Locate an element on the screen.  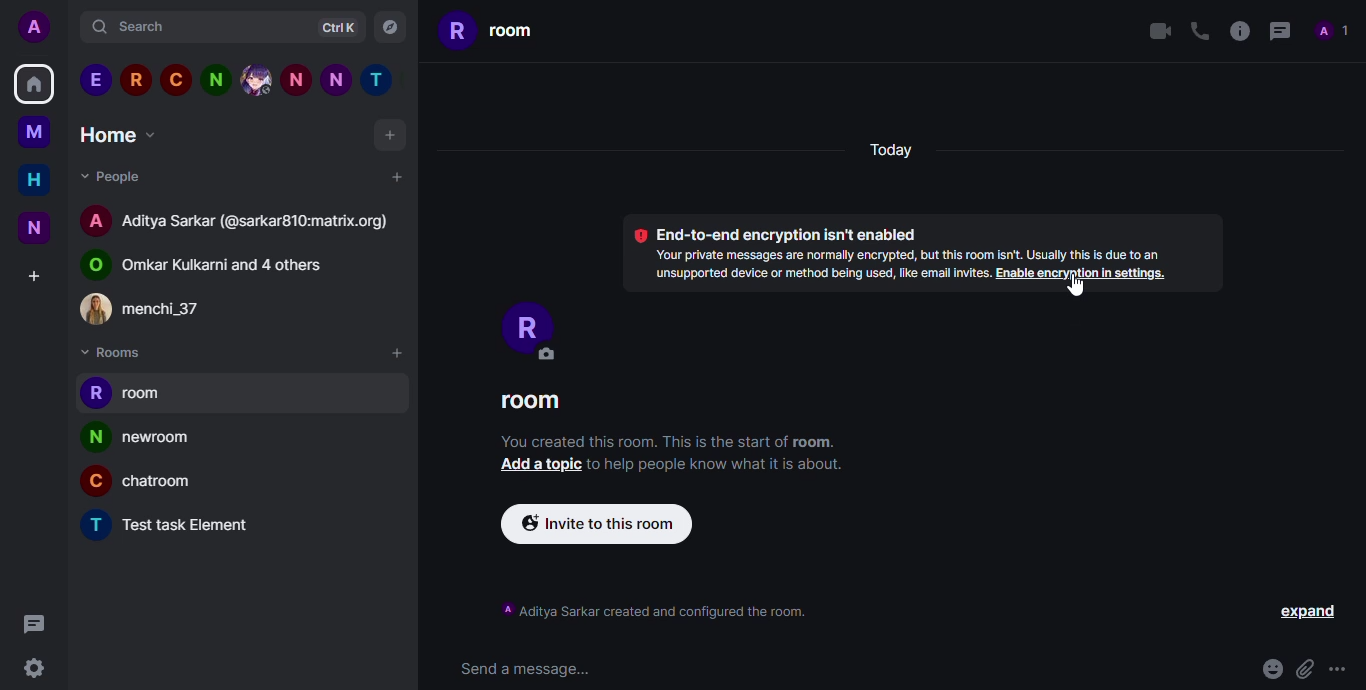
emoji is located at coordinates (1271, 667).